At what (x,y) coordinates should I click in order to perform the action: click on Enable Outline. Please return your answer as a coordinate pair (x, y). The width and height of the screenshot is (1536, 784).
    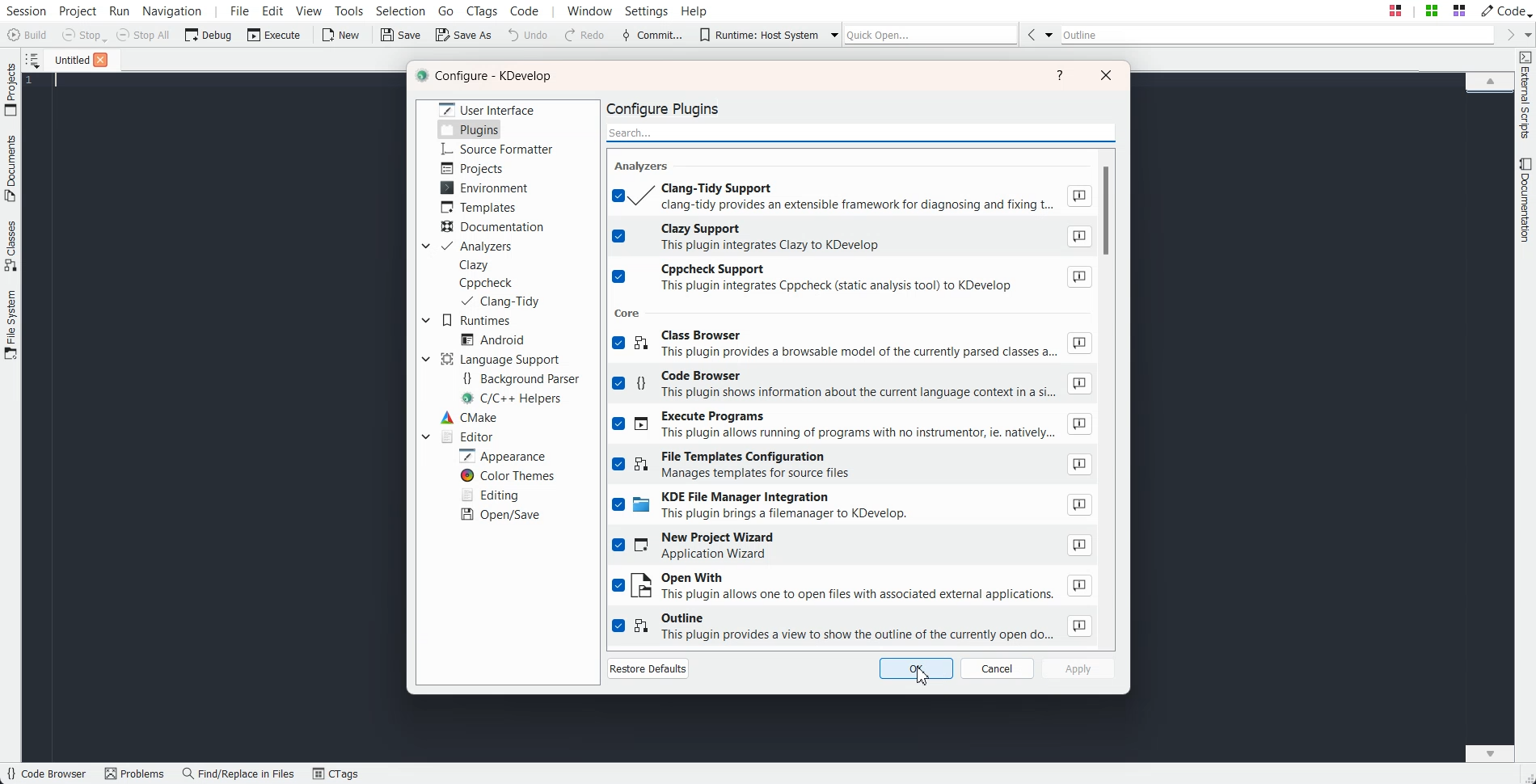
    Looking at the image, I should click on (853, 627).